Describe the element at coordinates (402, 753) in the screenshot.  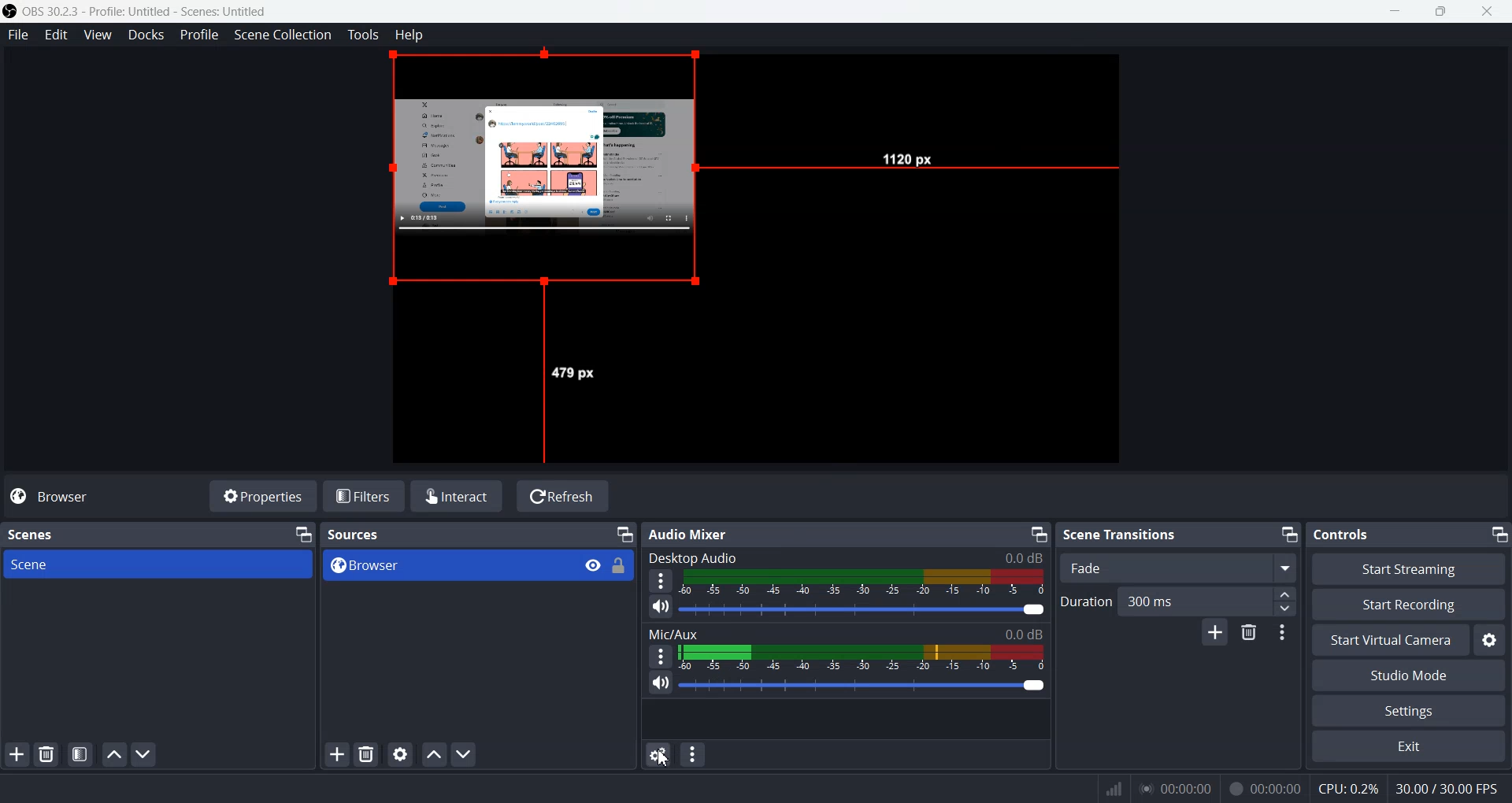
I see `Open source properties` at that location.